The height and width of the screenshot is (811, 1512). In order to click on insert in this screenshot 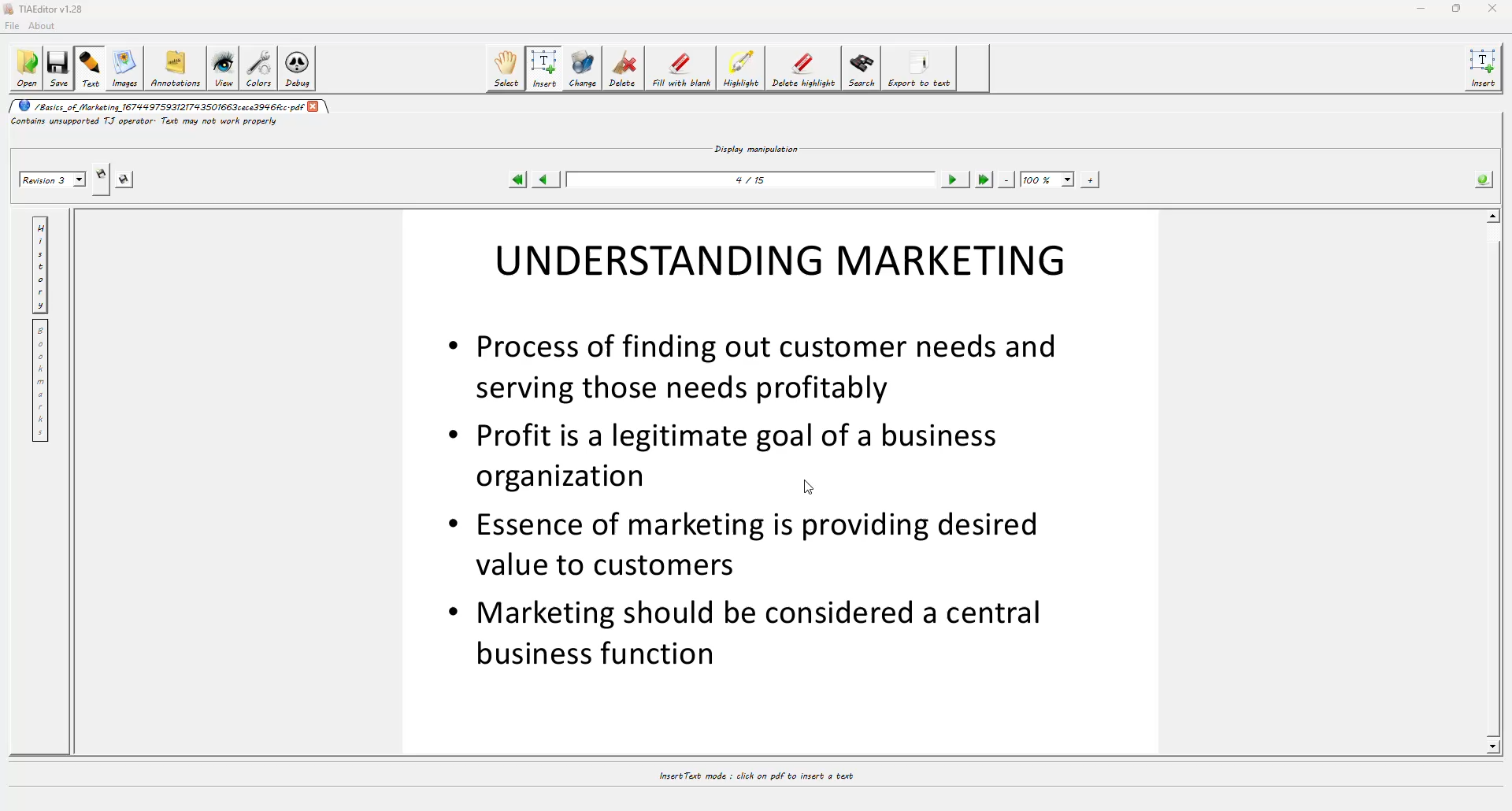, I will do `click(547, 68)`.